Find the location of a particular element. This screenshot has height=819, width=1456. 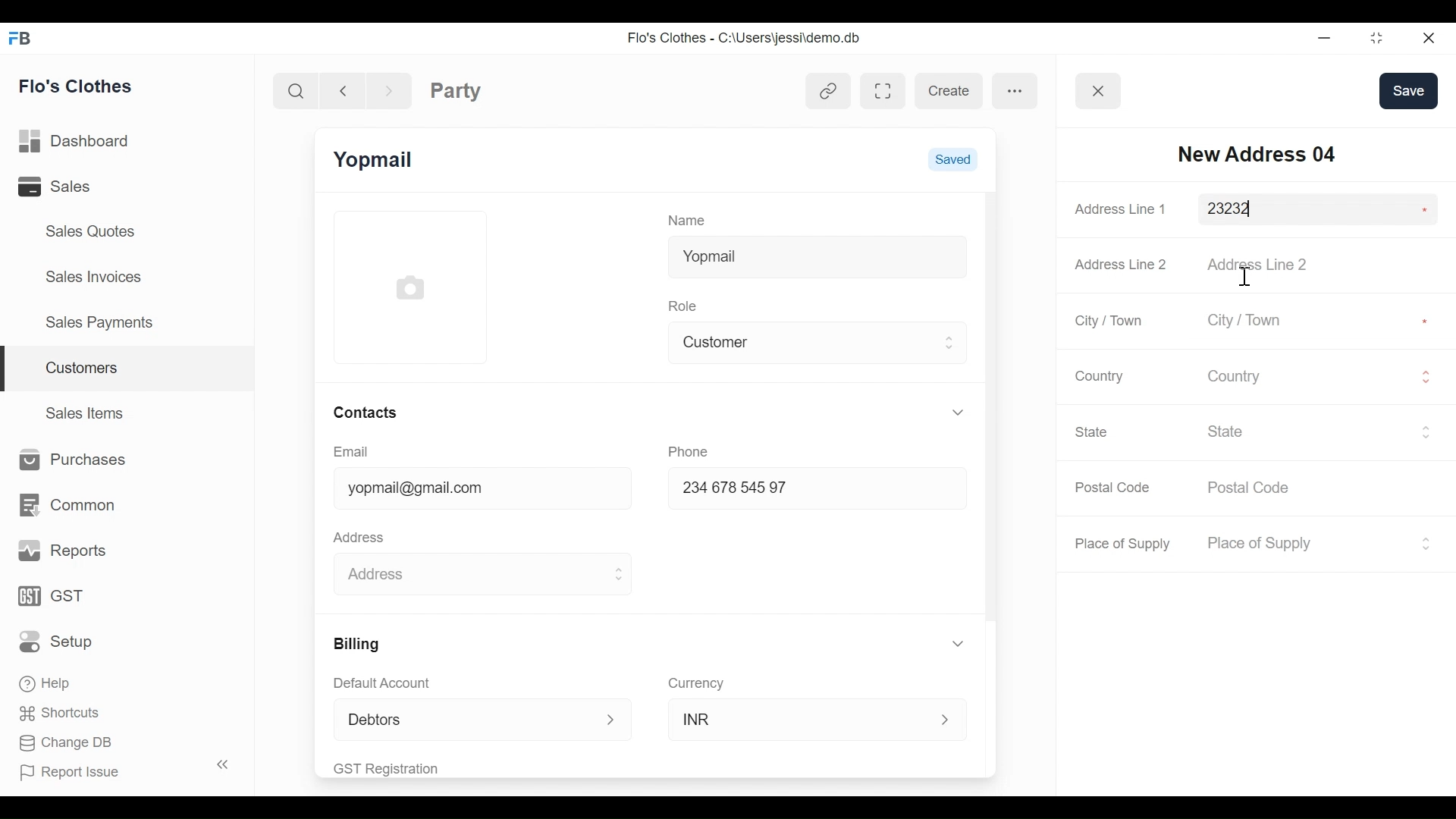

GST Registration is located at coordinates (405, 768).